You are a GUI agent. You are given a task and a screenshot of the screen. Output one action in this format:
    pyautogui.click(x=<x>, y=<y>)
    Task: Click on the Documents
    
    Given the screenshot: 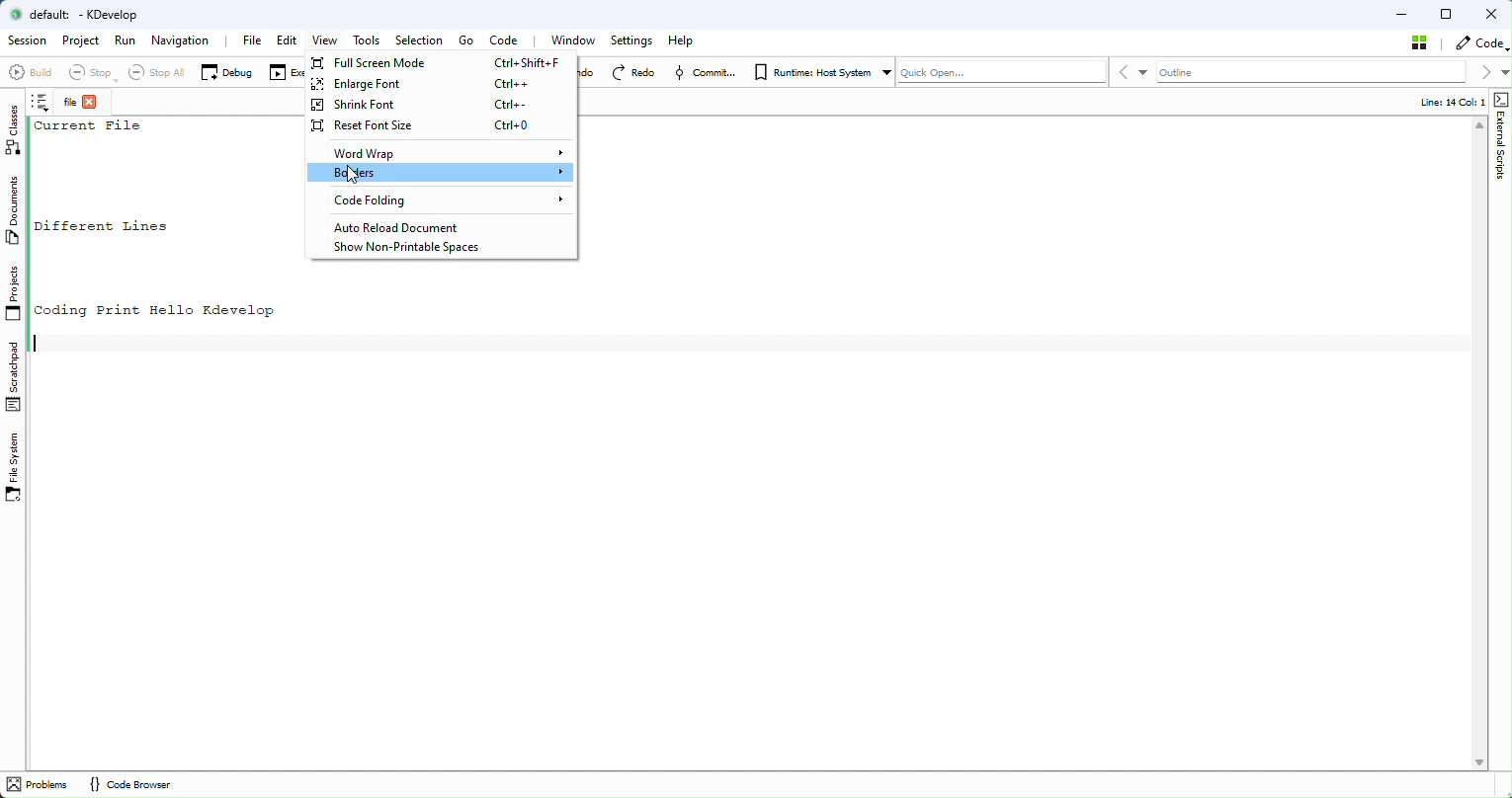 What is the action you would take?
    pyautogui.click(x=18, y=213)
    